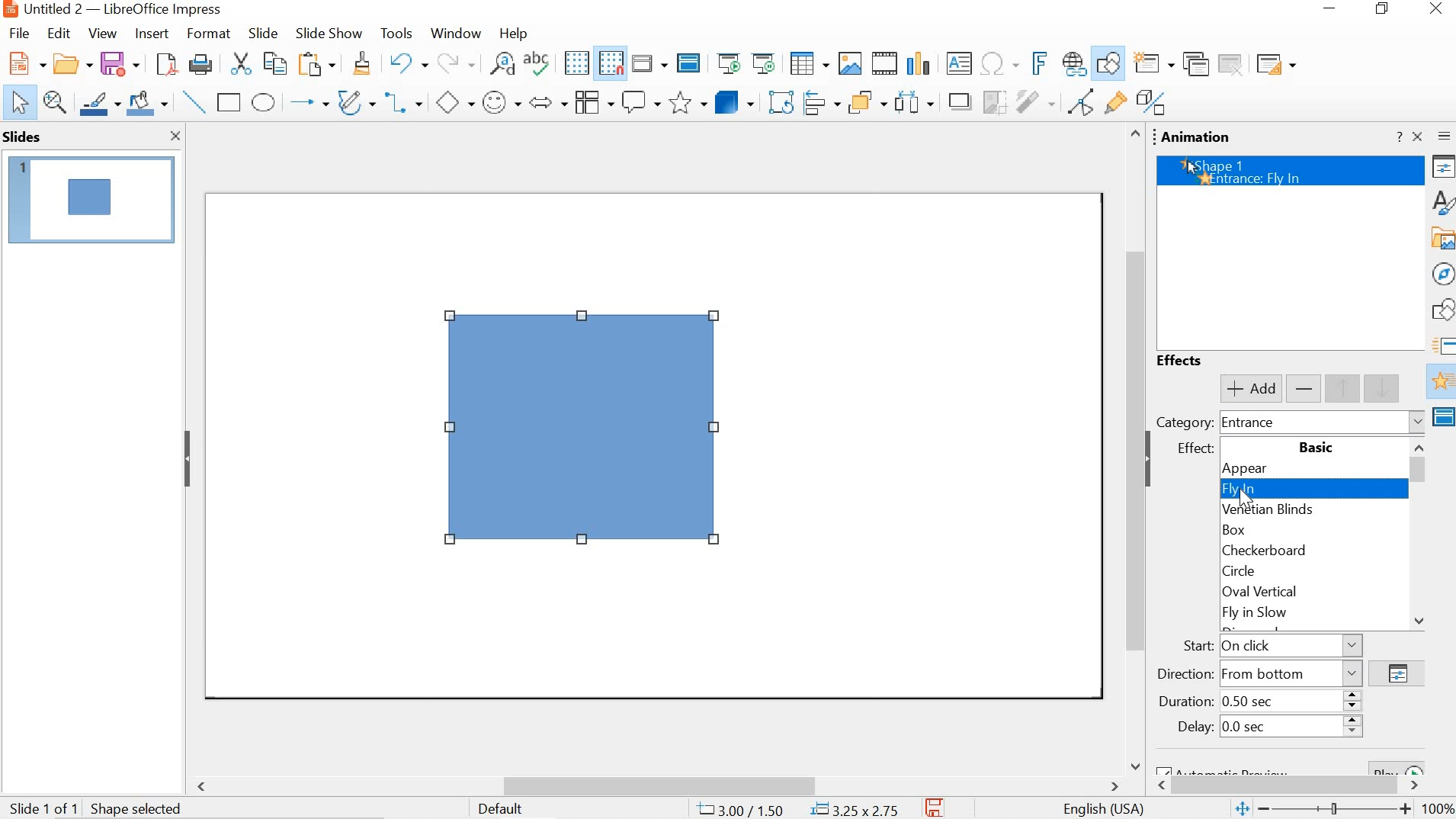 This screenshot has height=819, width=1456. What do you see at coordinates (455, 101) in the screenshot?
I see `basic shapes` at bounding box center [455, 101].